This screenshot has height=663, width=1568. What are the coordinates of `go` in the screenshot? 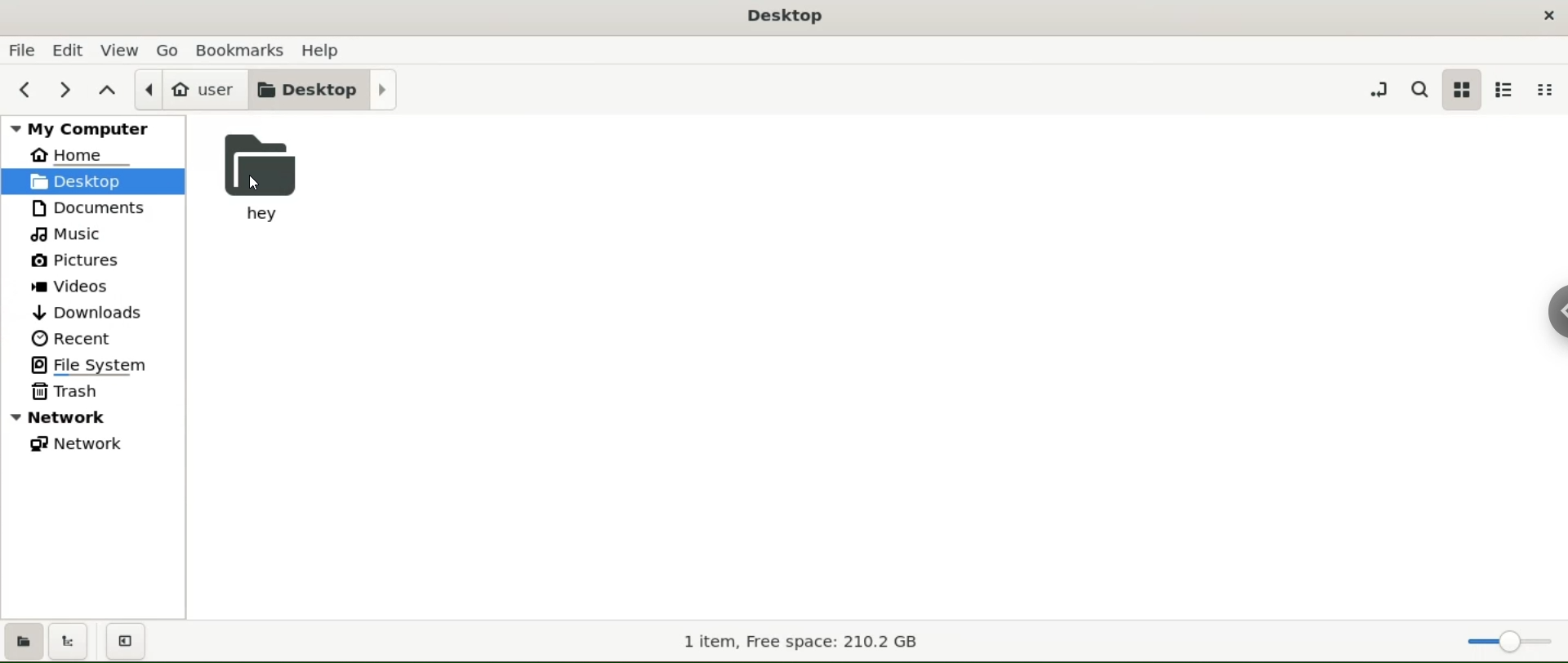 It's located at (172, 51).